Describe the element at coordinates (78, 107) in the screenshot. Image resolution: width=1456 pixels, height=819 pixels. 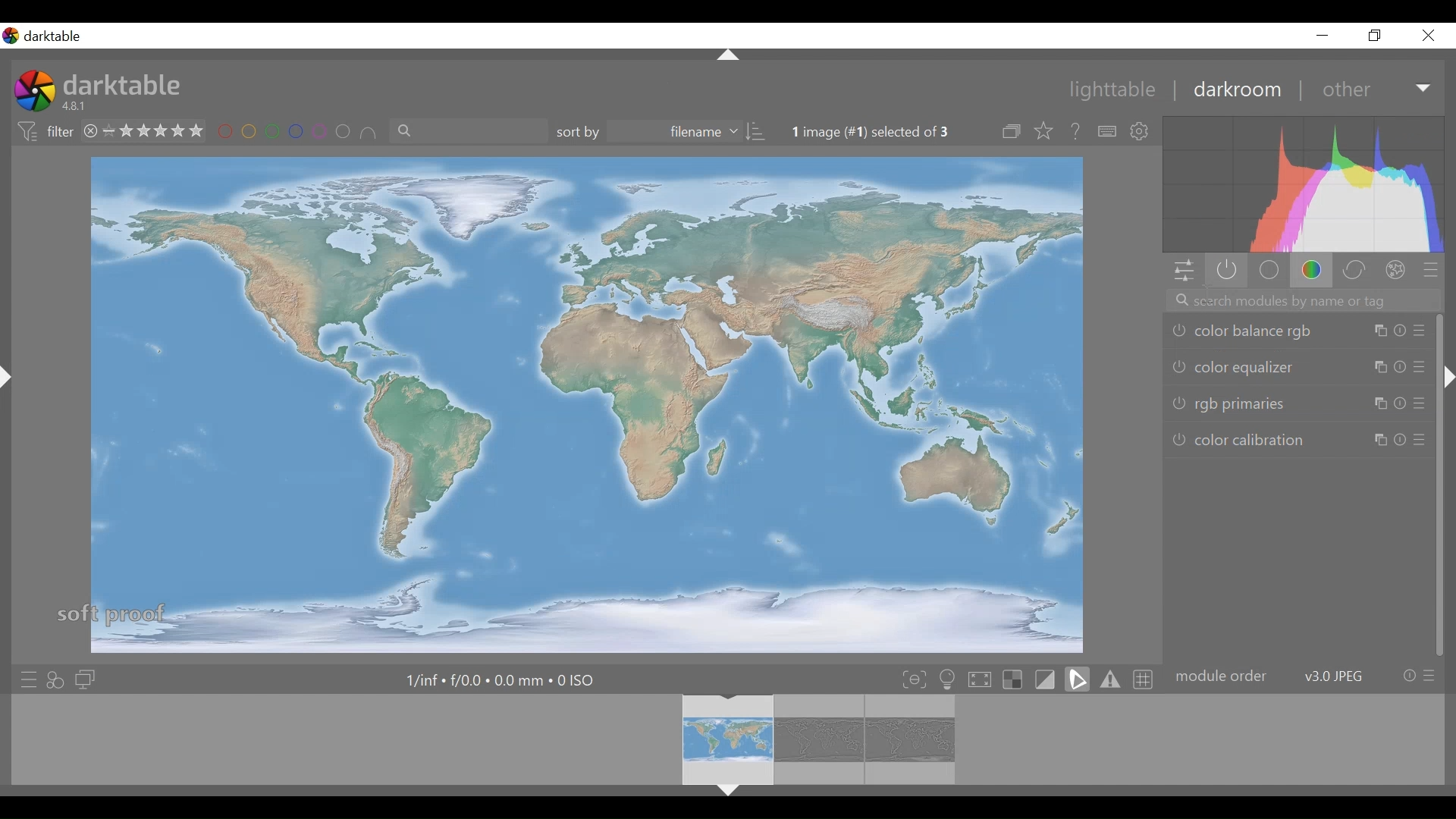
I see `Version` at that location.